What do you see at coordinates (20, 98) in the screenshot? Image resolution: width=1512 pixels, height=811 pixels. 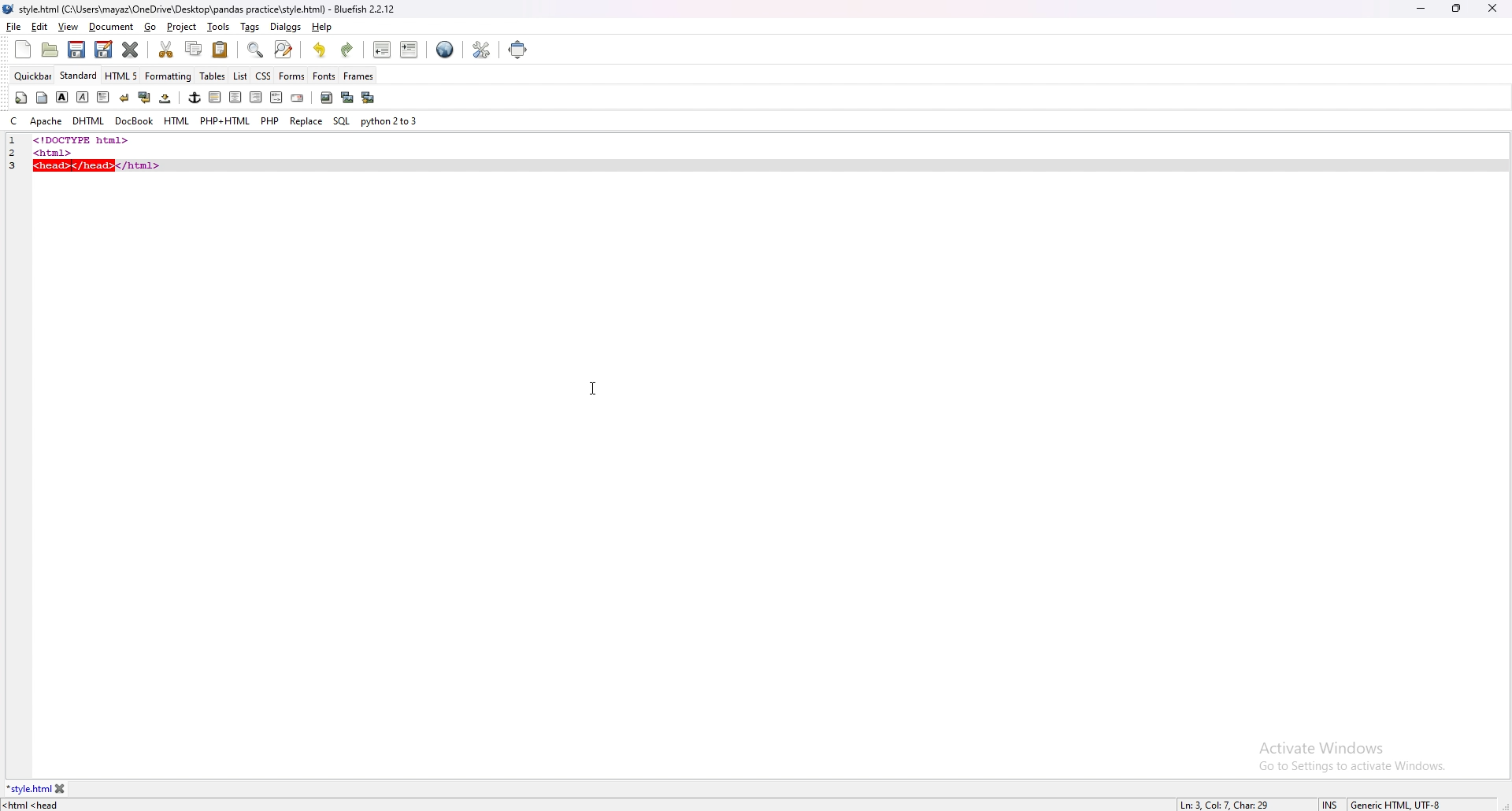 I see `quickstart` at bounding box center [20, 98].